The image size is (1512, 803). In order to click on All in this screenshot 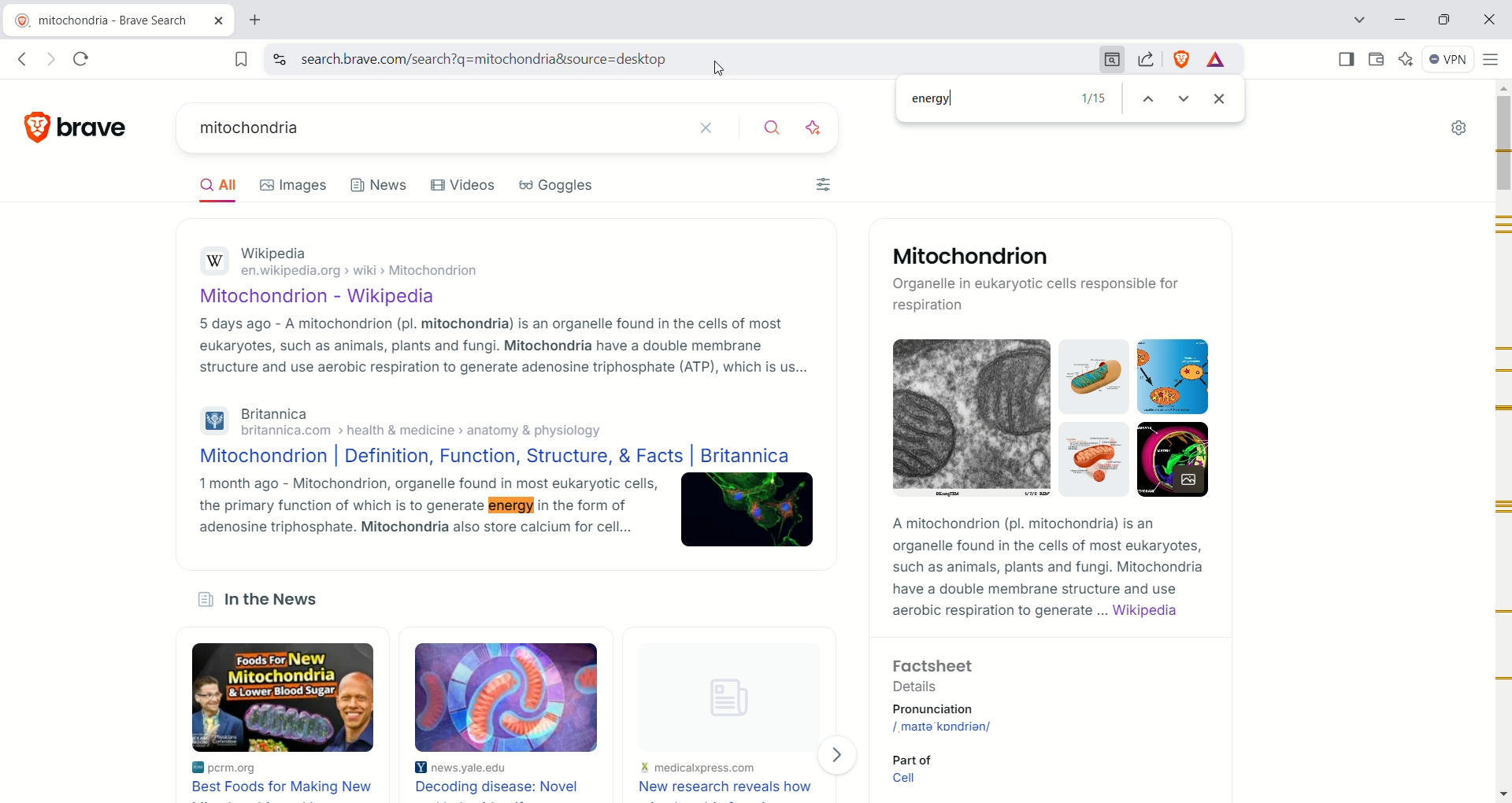, I will do `click(213, 189)`.